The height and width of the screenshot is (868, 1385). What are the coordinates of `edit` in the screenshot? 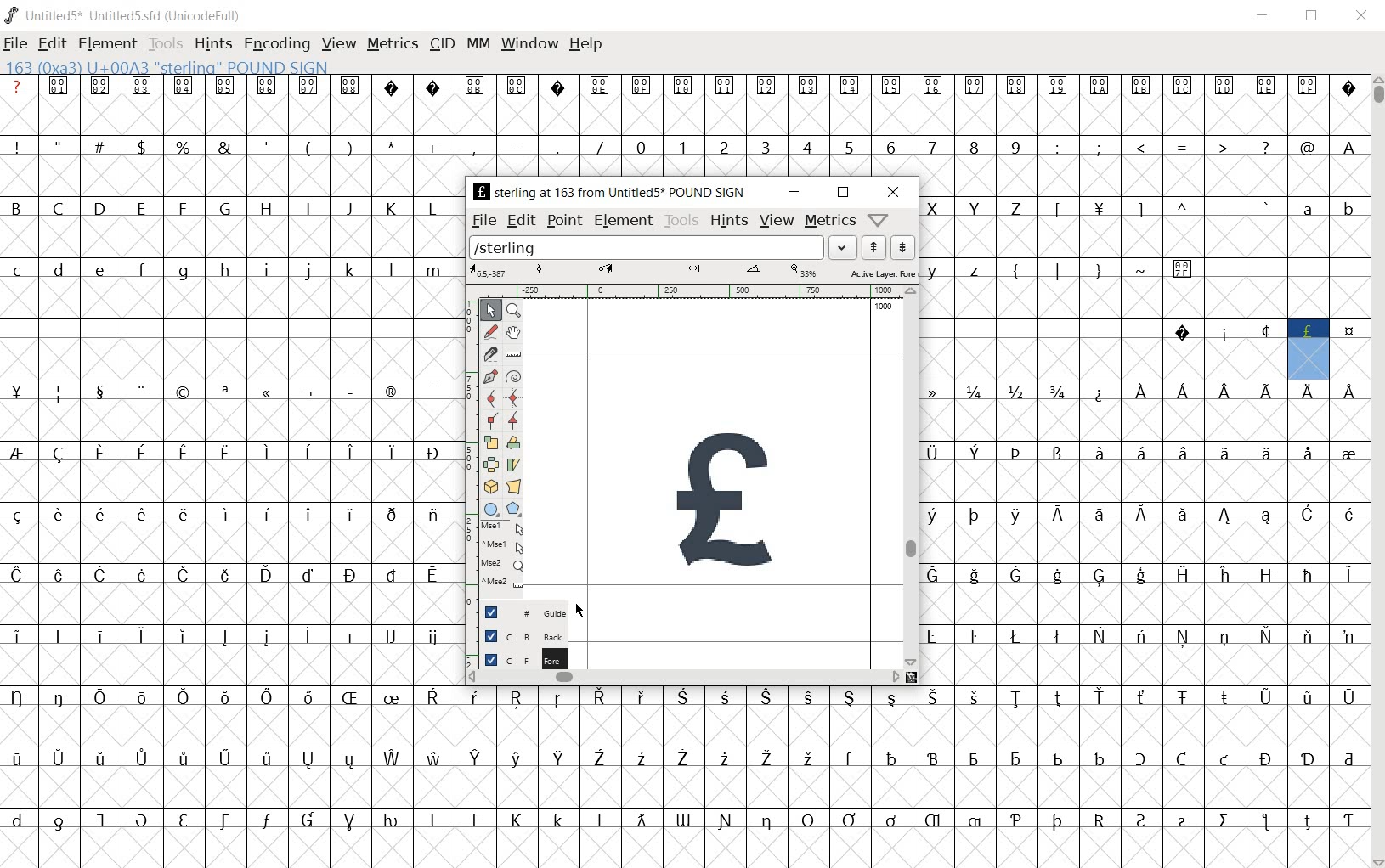 It's located at (53, 45).